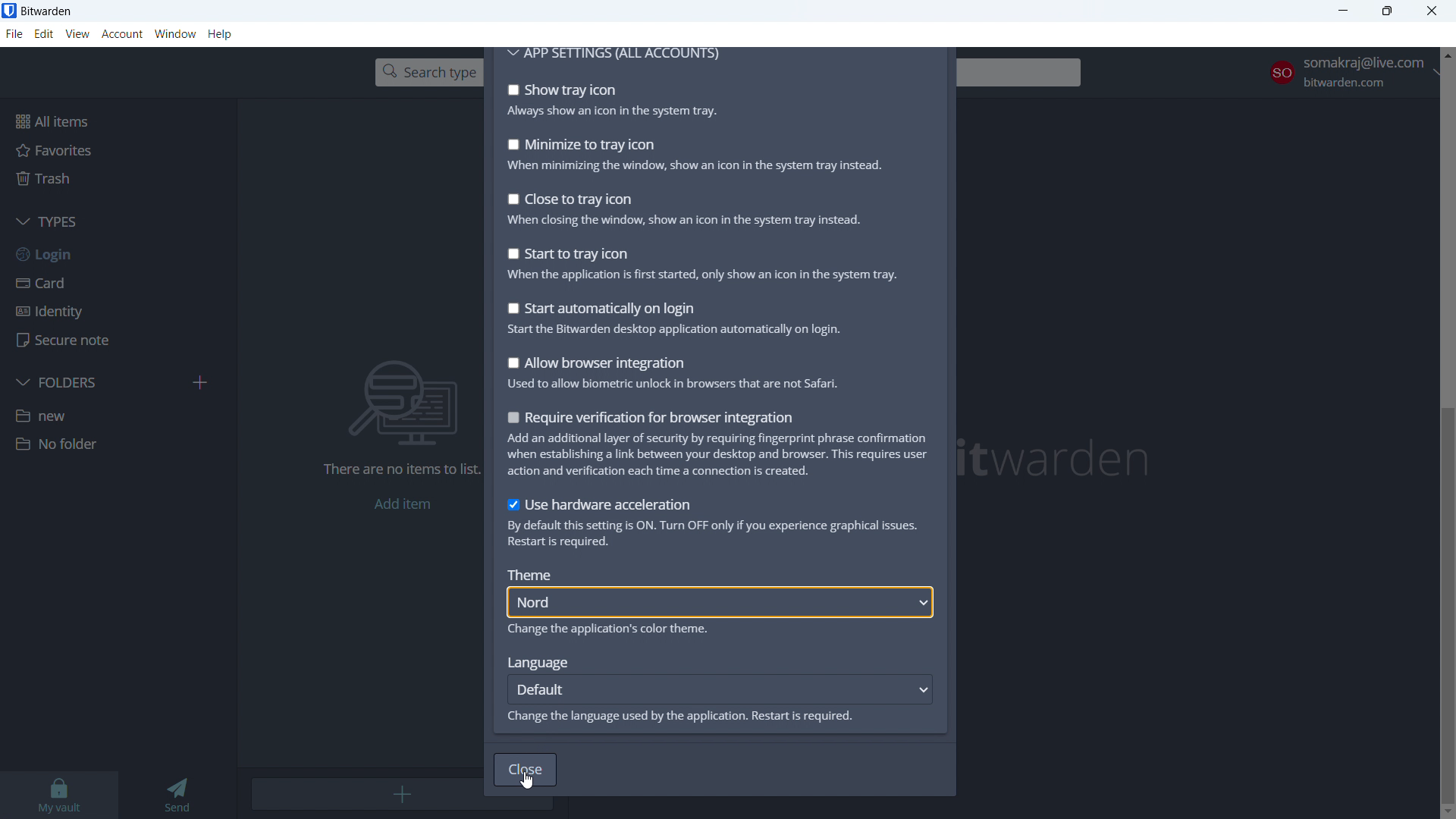 Image resolution: width=1456 pixels, height=819 pixels. I want to click on title, so click(47, 11).